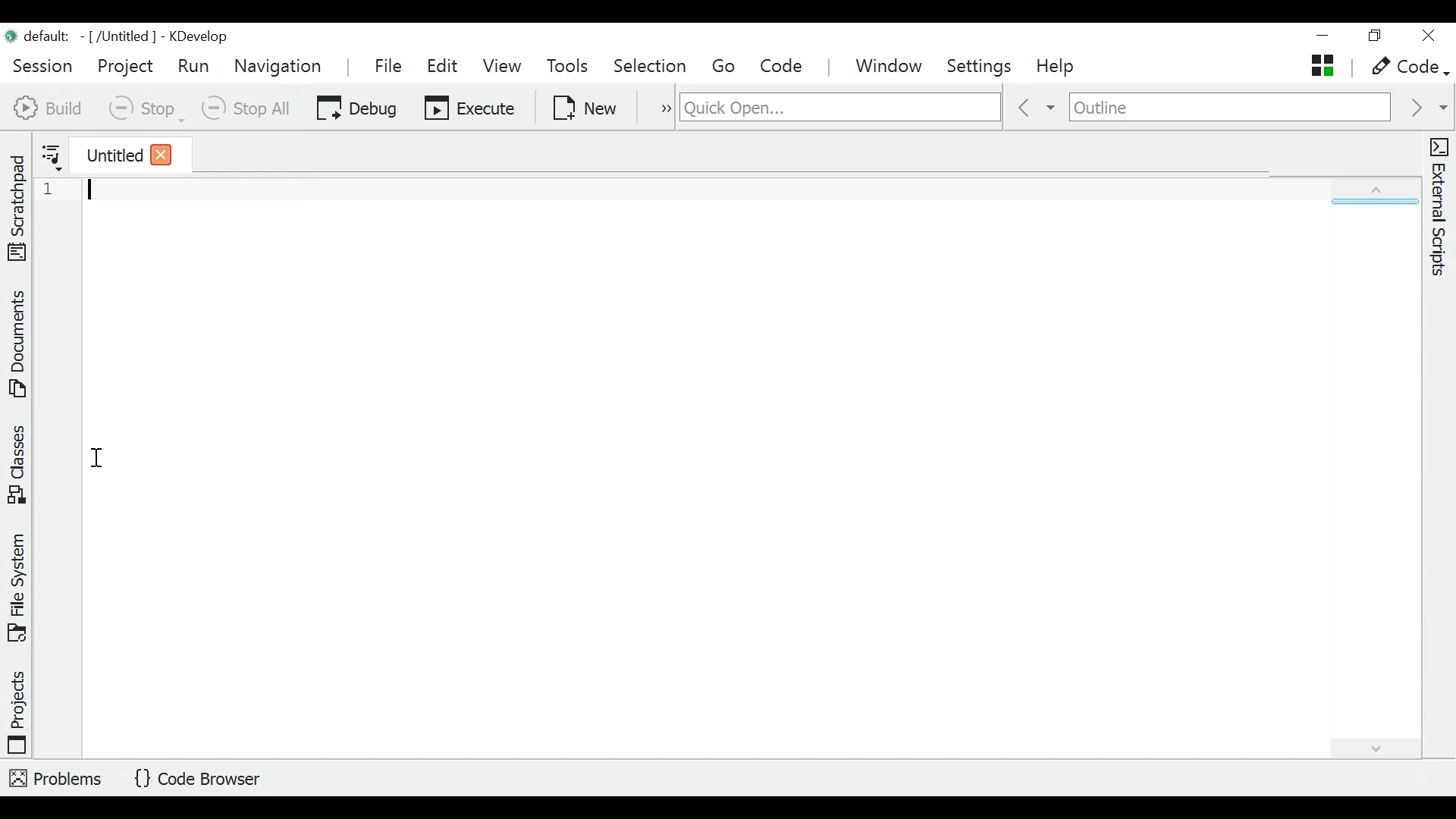 This screenshot has height=819, width=1456. Describe the element at coordinates (17, 353) in the screenshot. I see `Documents` at that location.